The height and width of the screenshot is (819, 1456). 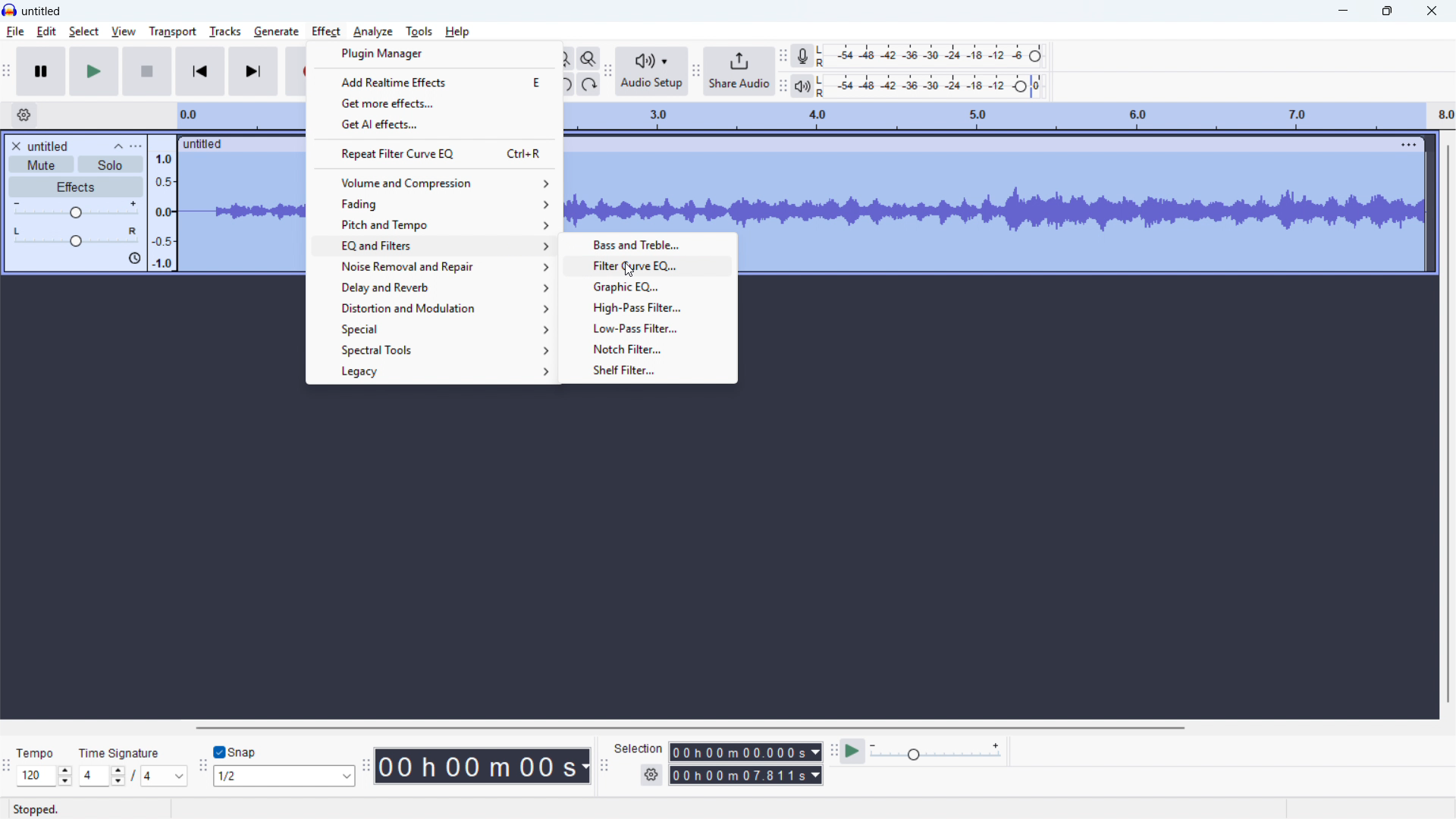 I want to click on Play at speed , so click(x=851, y=752).